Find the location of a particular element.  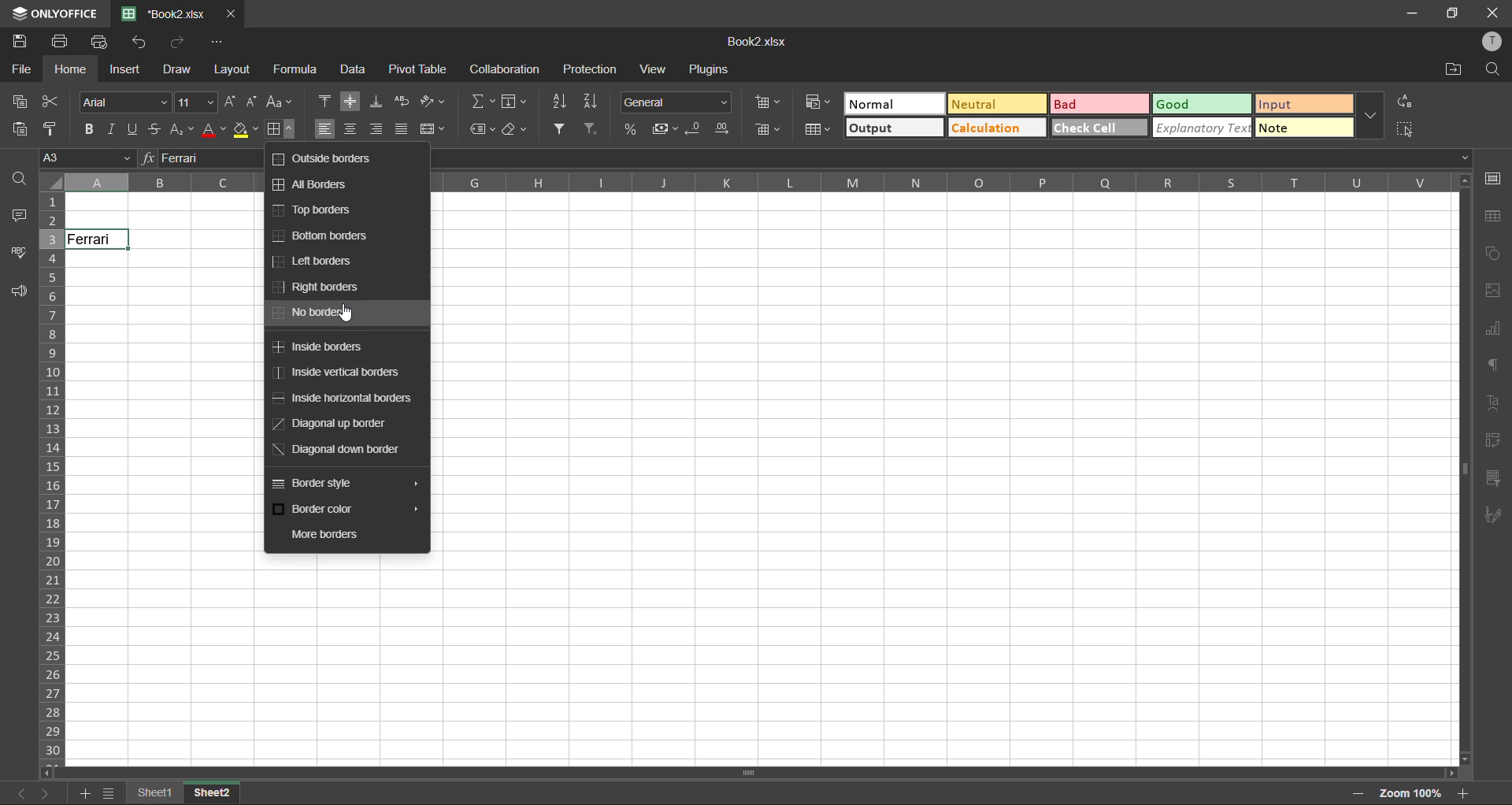

spellcheck is located at coordinates (15, 252).